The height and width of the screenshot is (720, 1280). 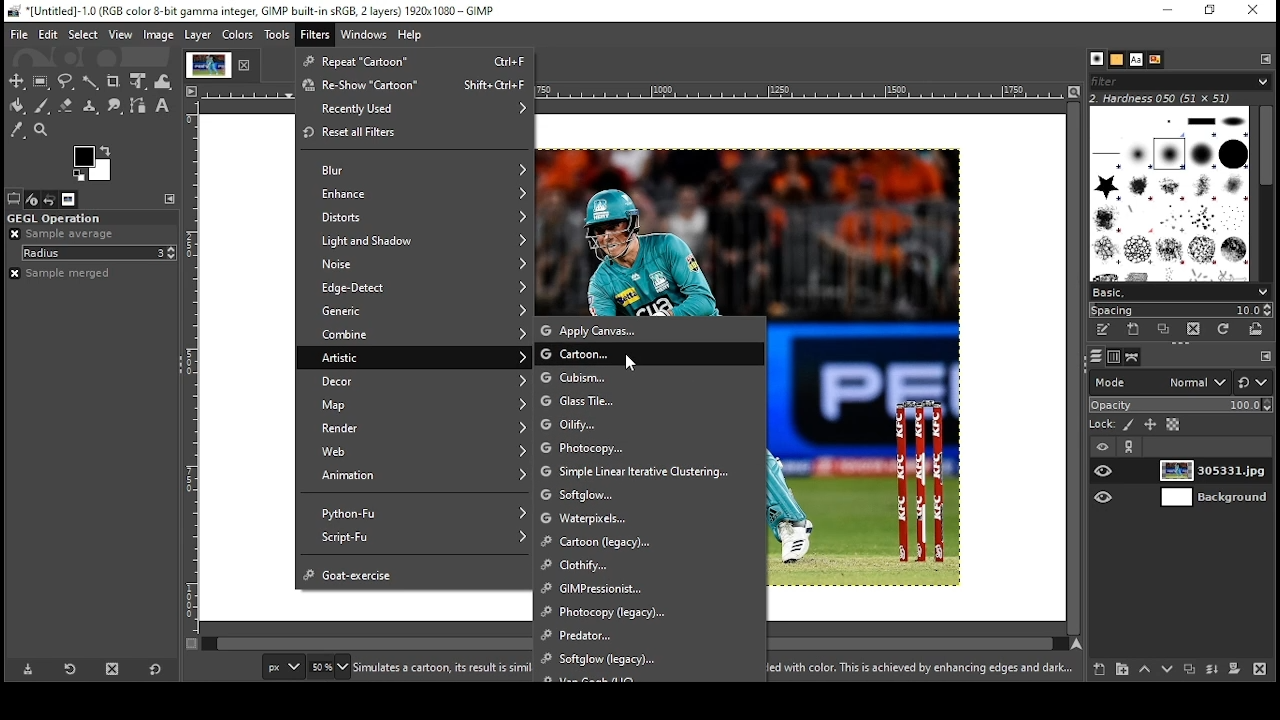 I want to click on units, so click(x=283, y=666).